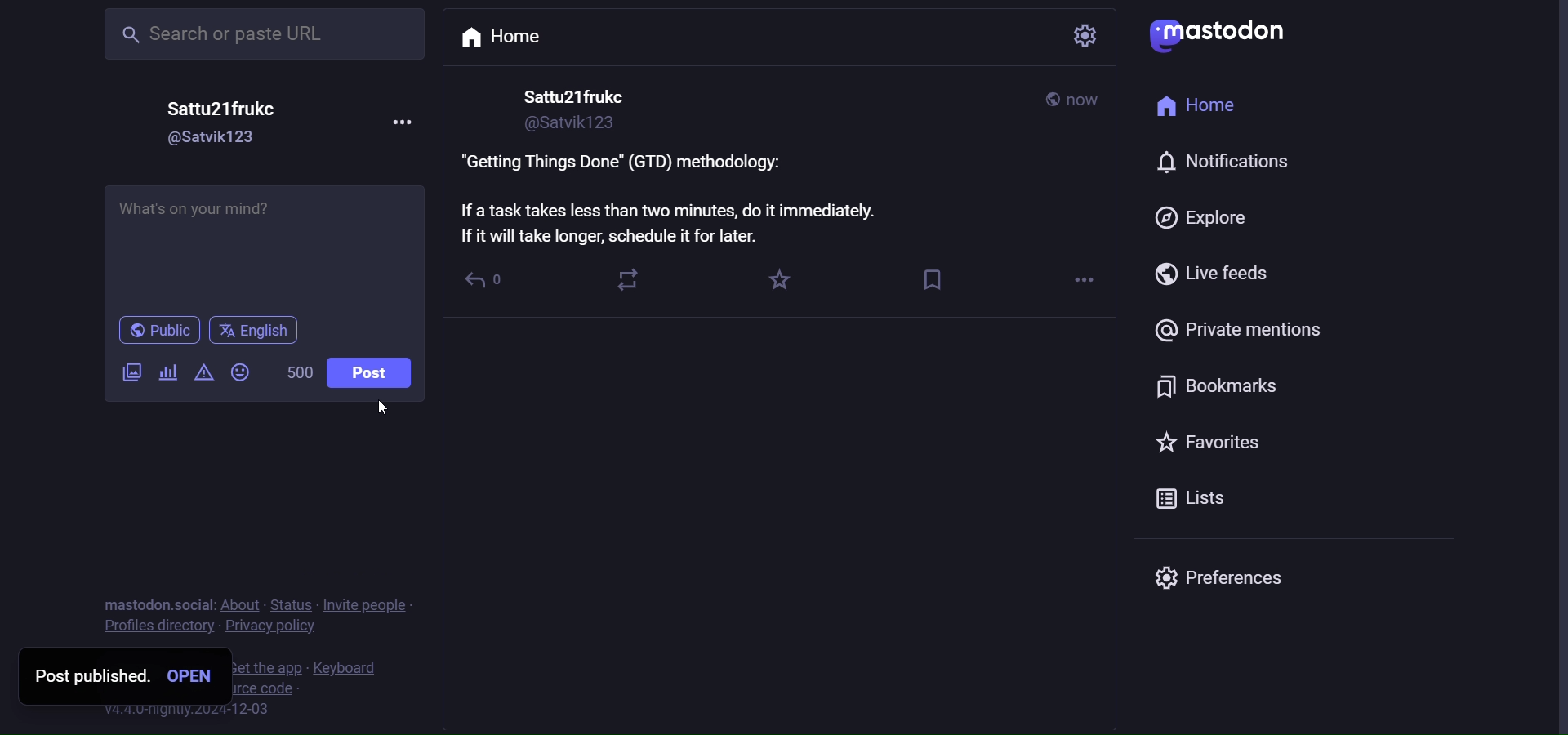 This screenshot has width=1568, height=735. I want to click on setting, so click(1086, 33).